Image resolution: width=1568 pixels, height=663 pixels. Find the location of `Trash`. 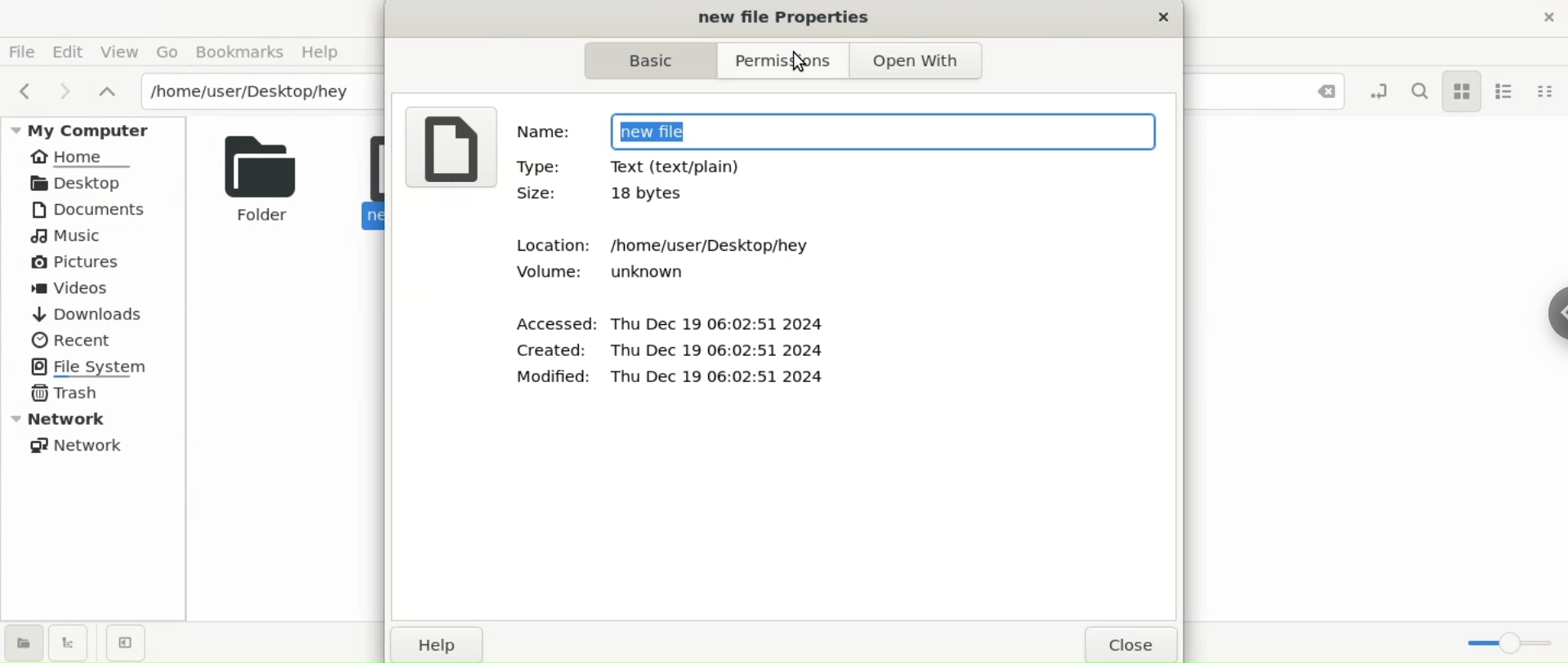

Trash is located at coordinates (67, 394).